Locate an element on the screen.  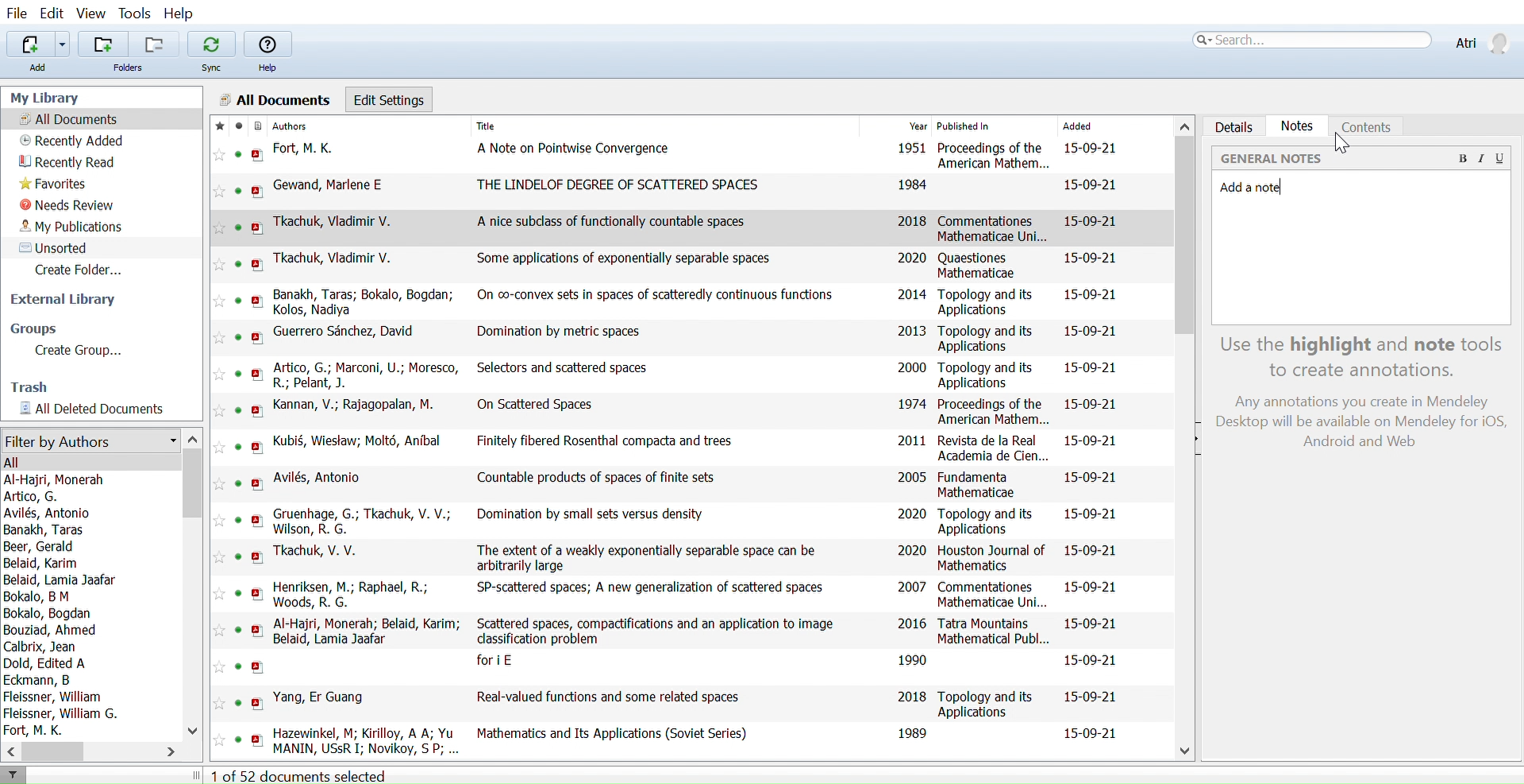
‘GENERAL NOTES is located at coordinates (1271, 157).